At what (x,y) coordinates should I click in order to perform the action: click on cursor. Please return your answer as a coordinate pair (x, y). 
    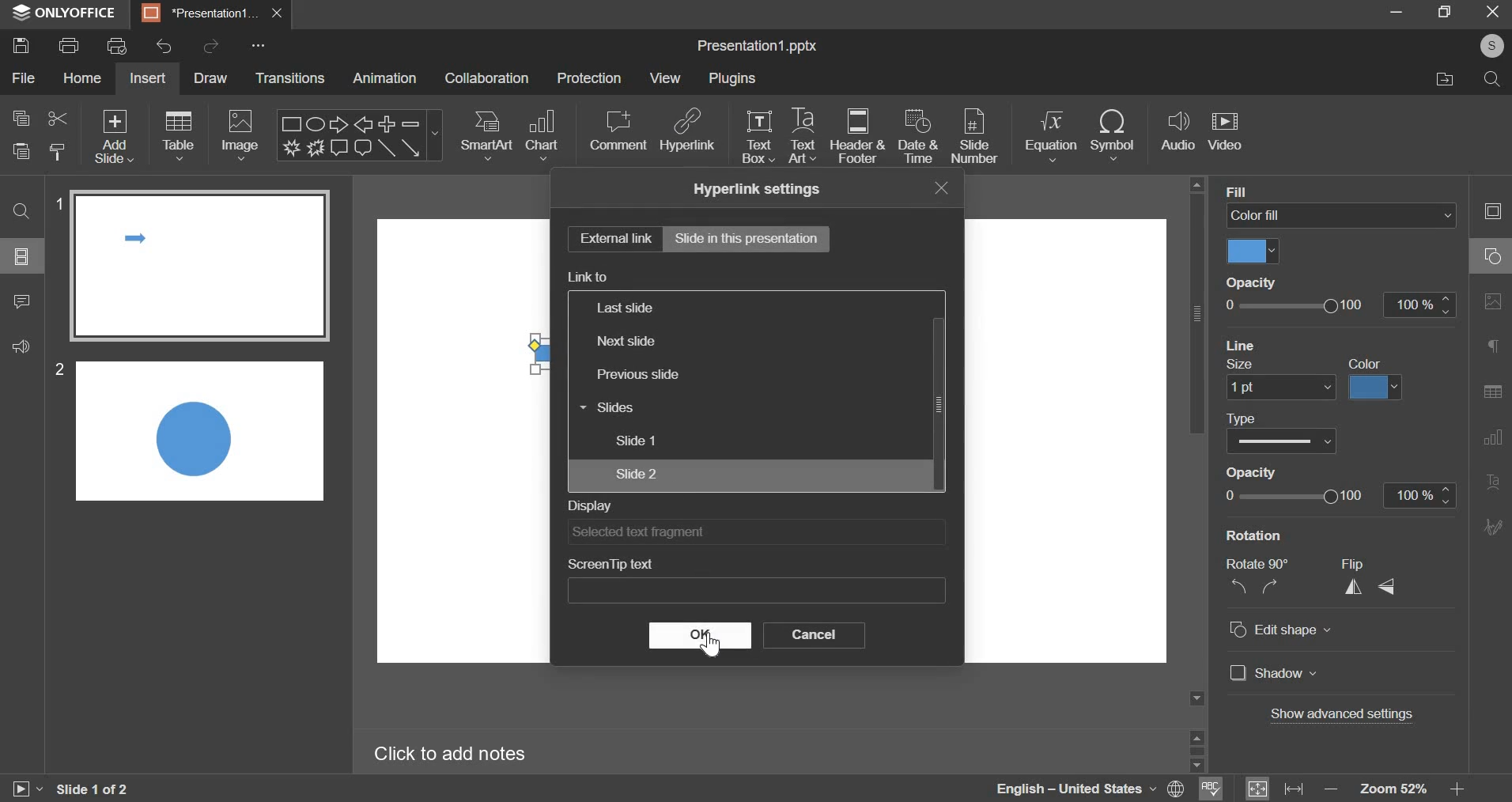
    Looking at the image, I should click on (713, 646).